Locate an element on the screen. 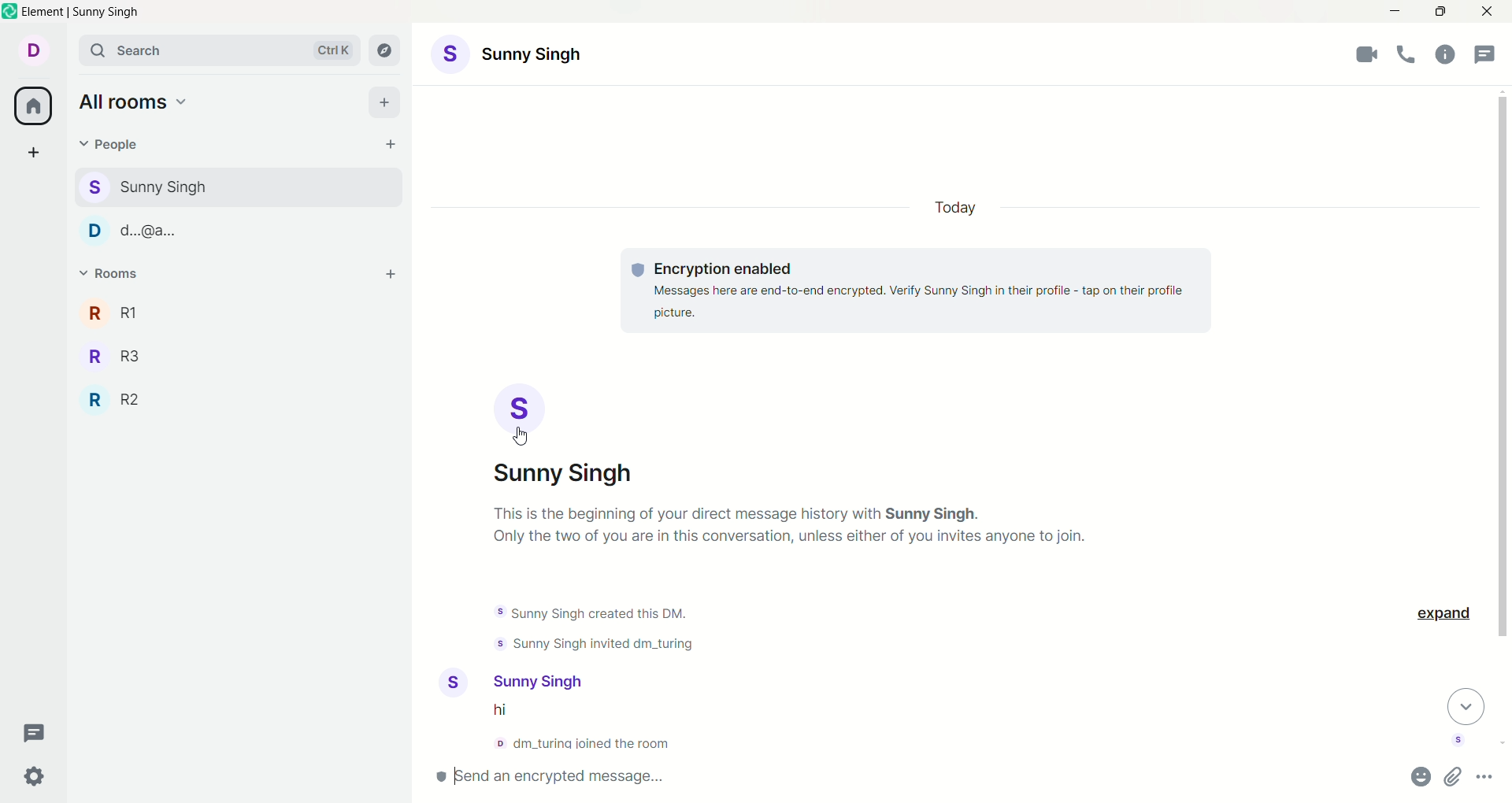 The image size is (1512, 803). people is located at coordinates (146, 184).